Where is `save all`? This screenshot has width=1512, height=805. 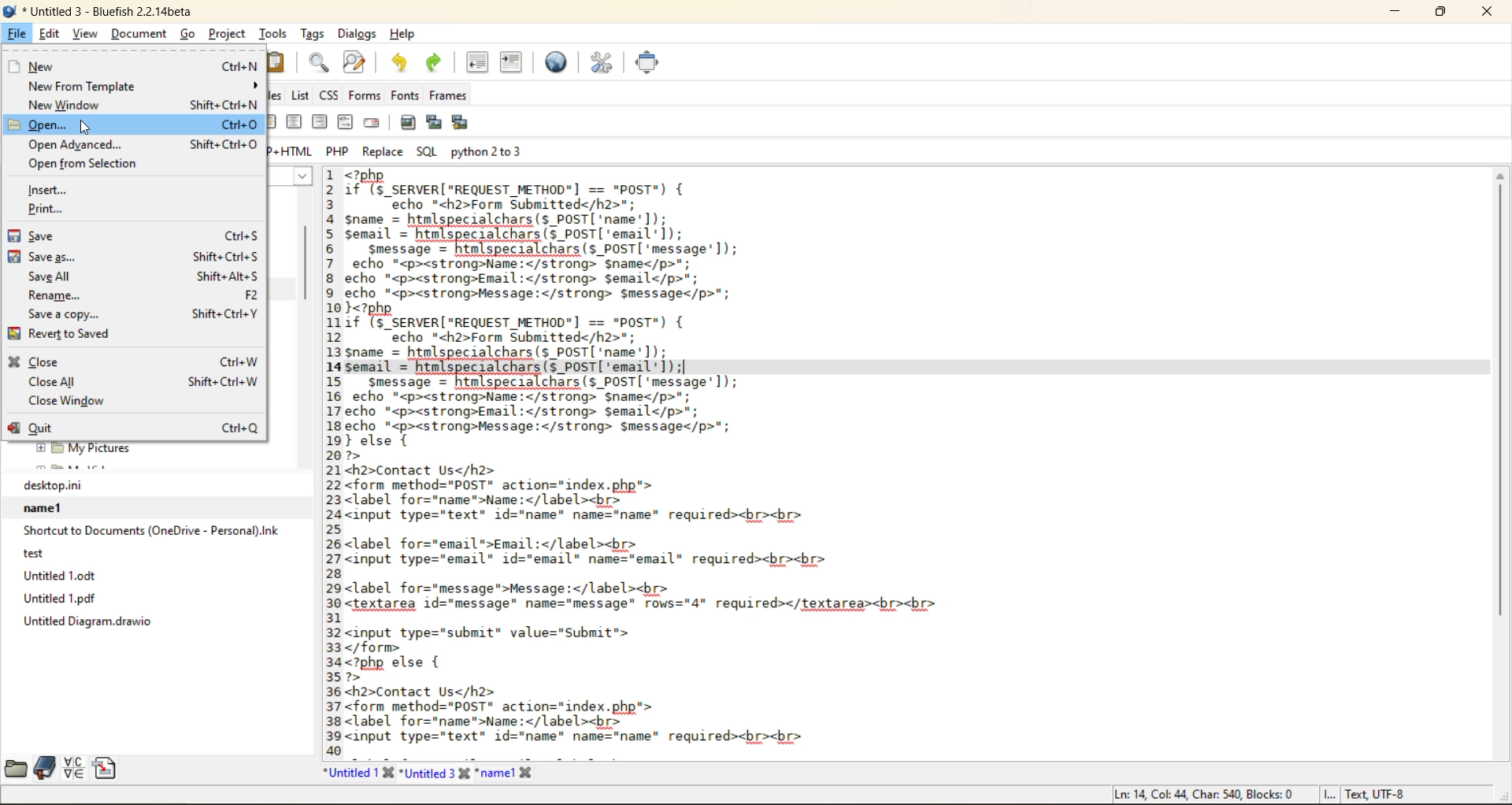
save all is located at coordinates (138, 276).